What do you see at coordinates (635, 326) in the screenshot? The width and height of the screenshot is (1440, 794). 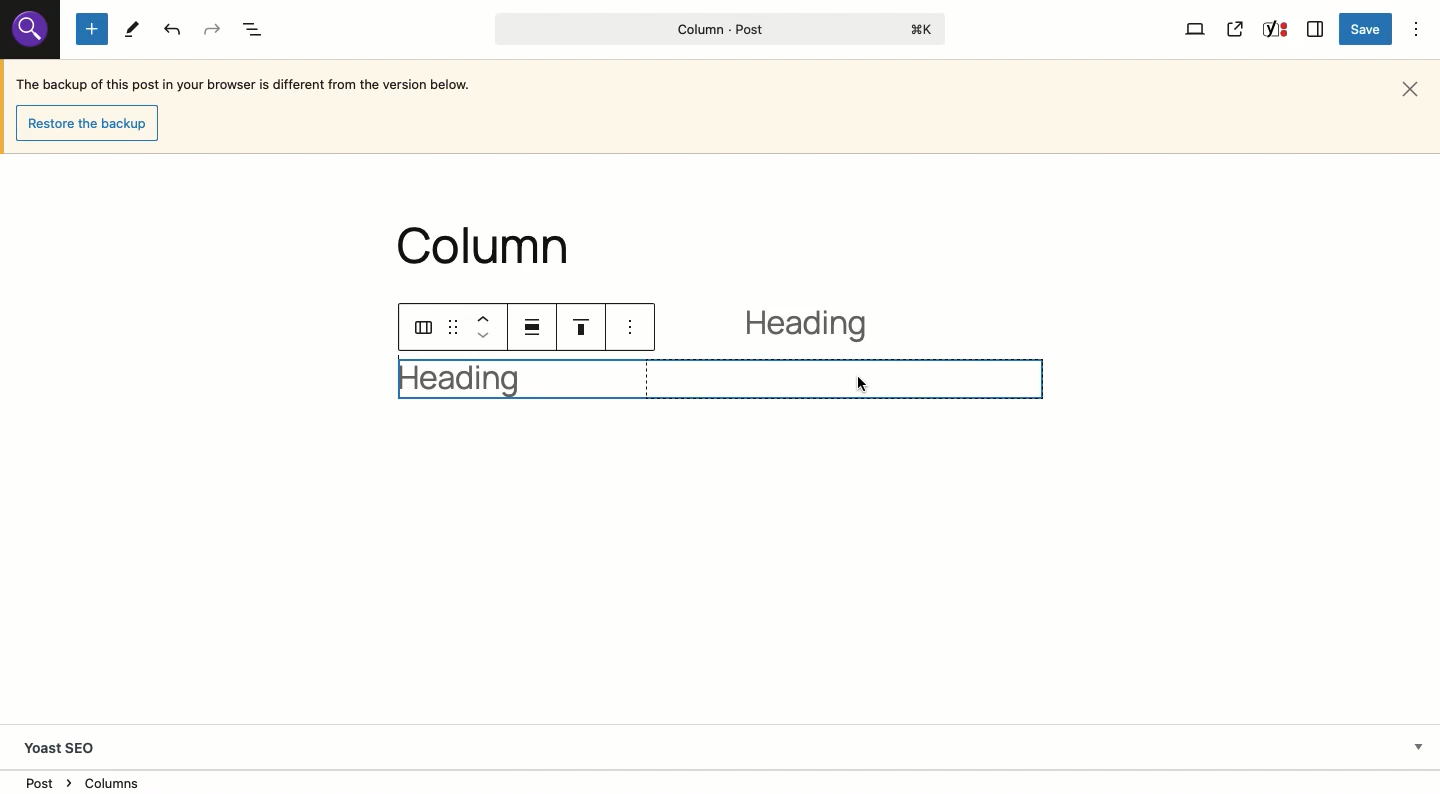 I see `see options` at bounding box center [635, 326].